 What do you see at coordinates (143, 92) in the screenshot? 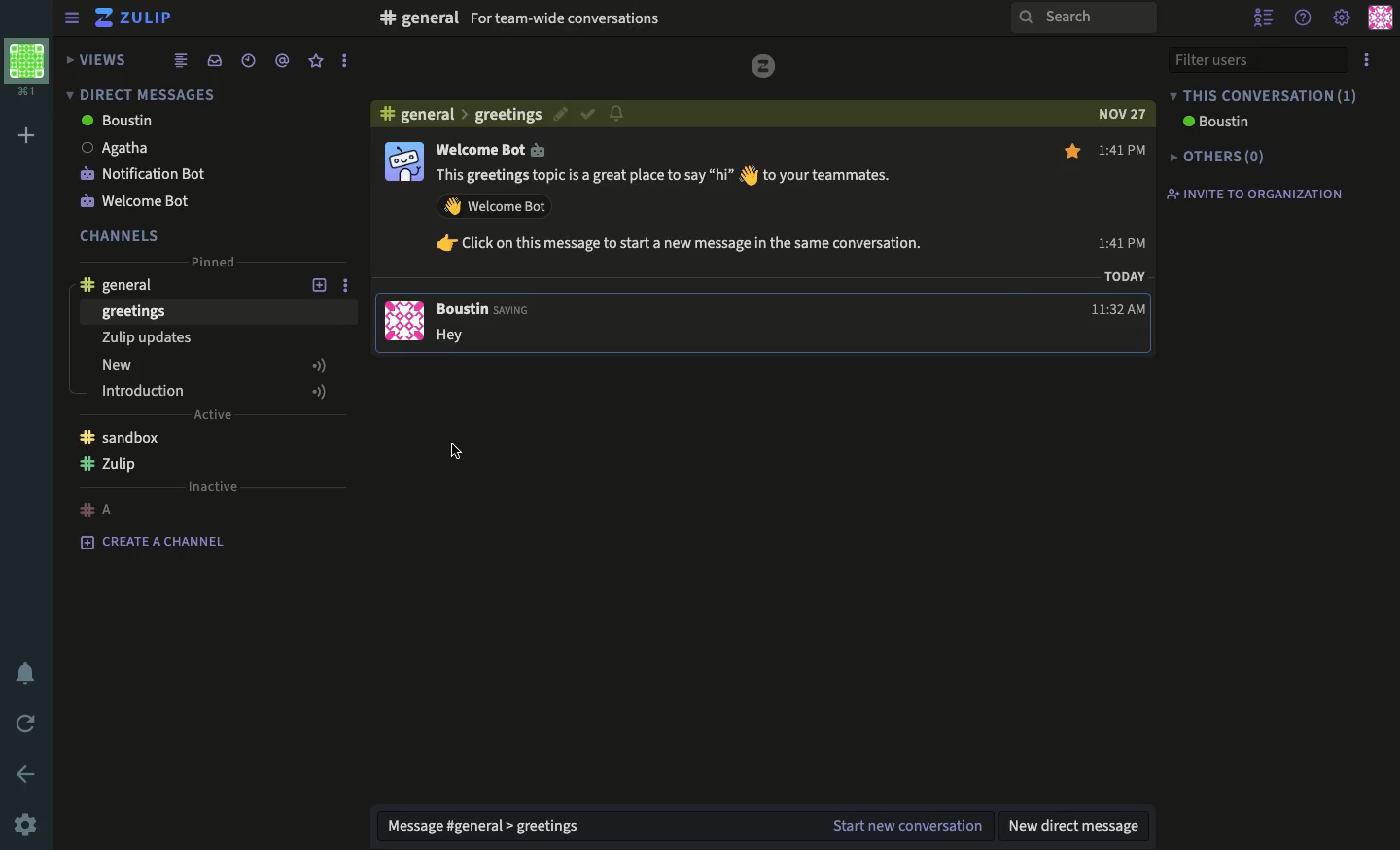
I see `direct messages` at bounding box center [143, 92].